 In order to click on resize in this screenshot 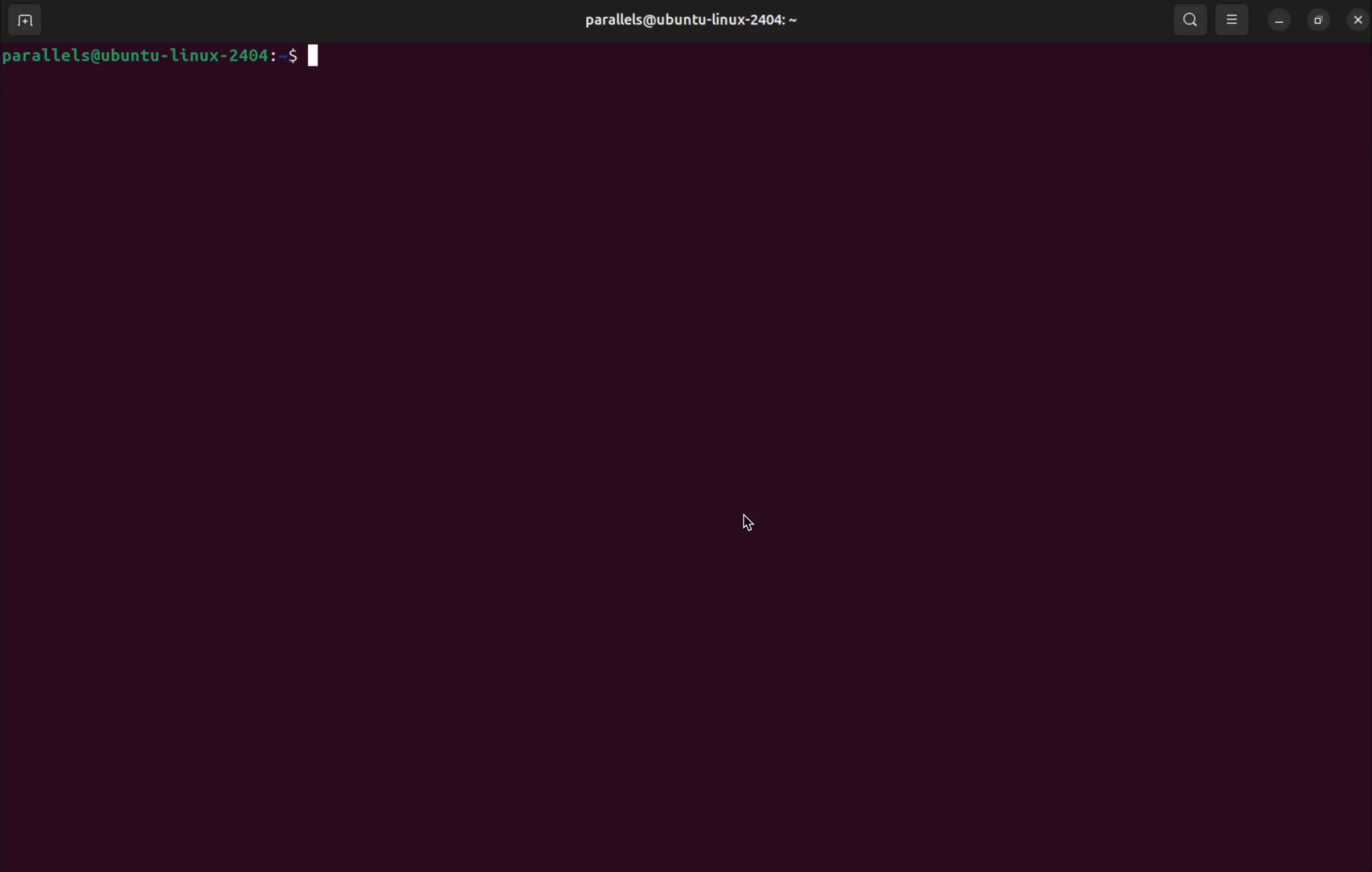, I will do `click(1322, 21)`.